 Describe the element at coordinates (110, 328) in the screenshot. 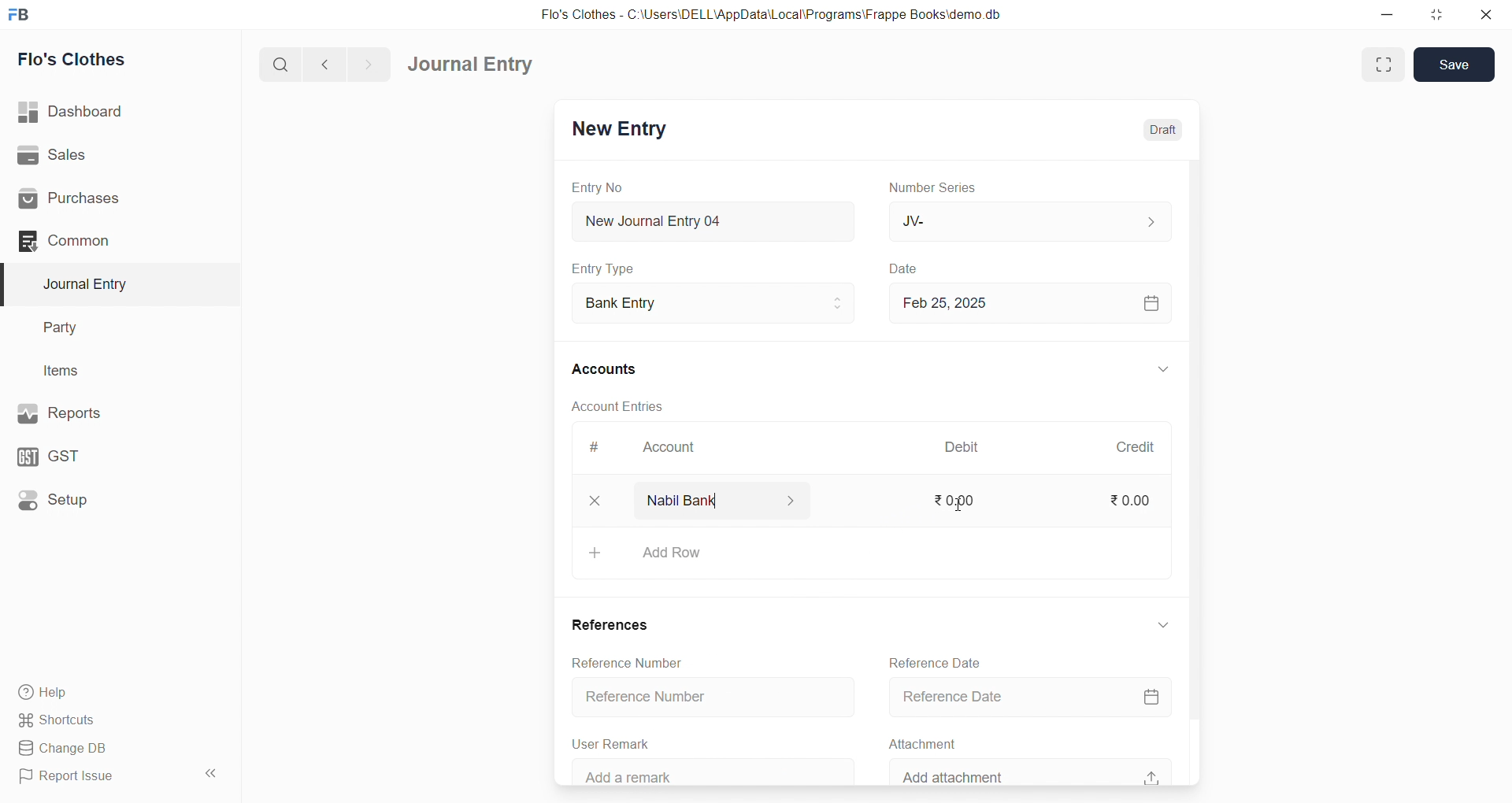

I see `Party` at that location.